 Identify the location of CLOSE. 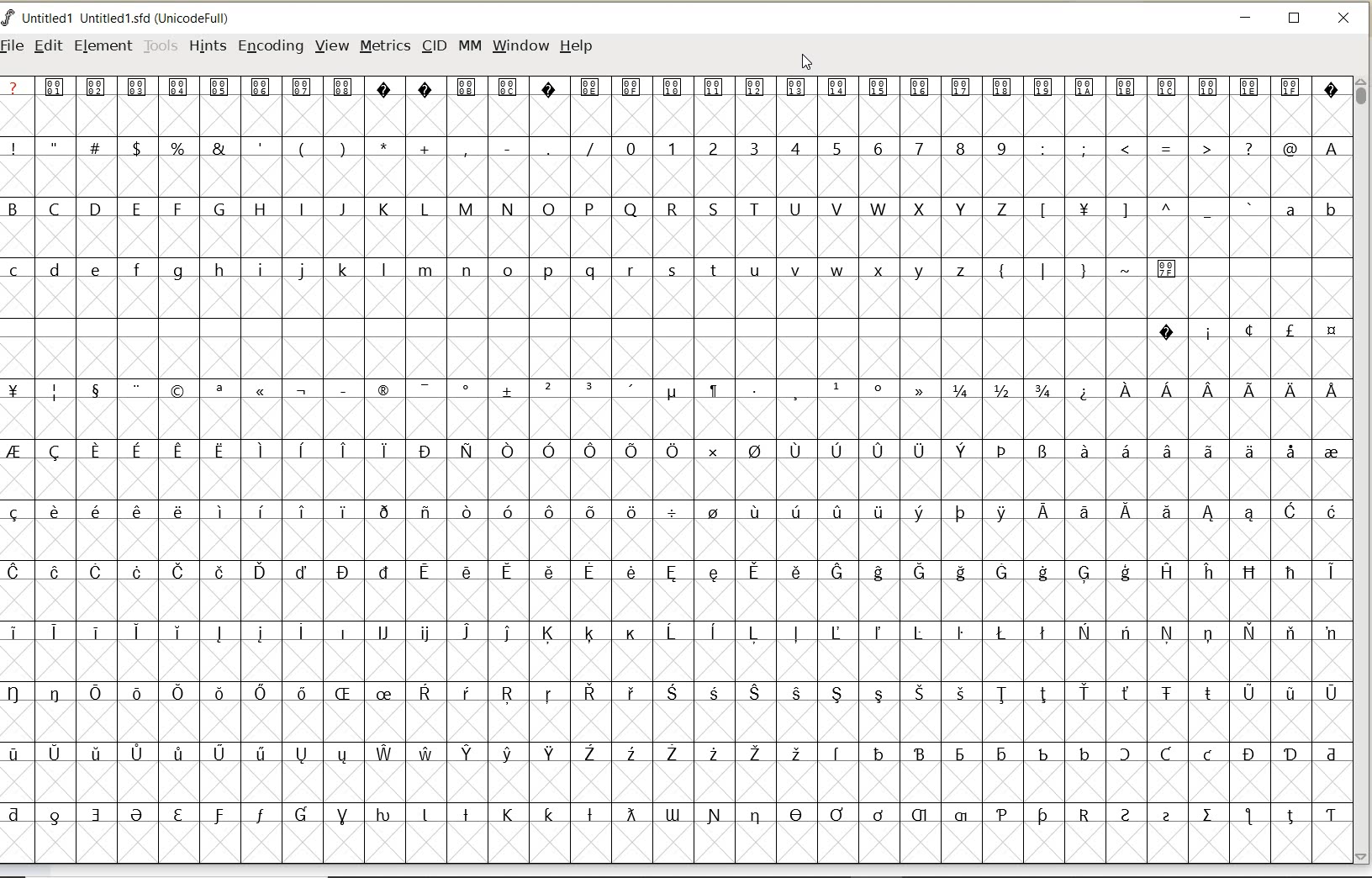
(1345, 19).